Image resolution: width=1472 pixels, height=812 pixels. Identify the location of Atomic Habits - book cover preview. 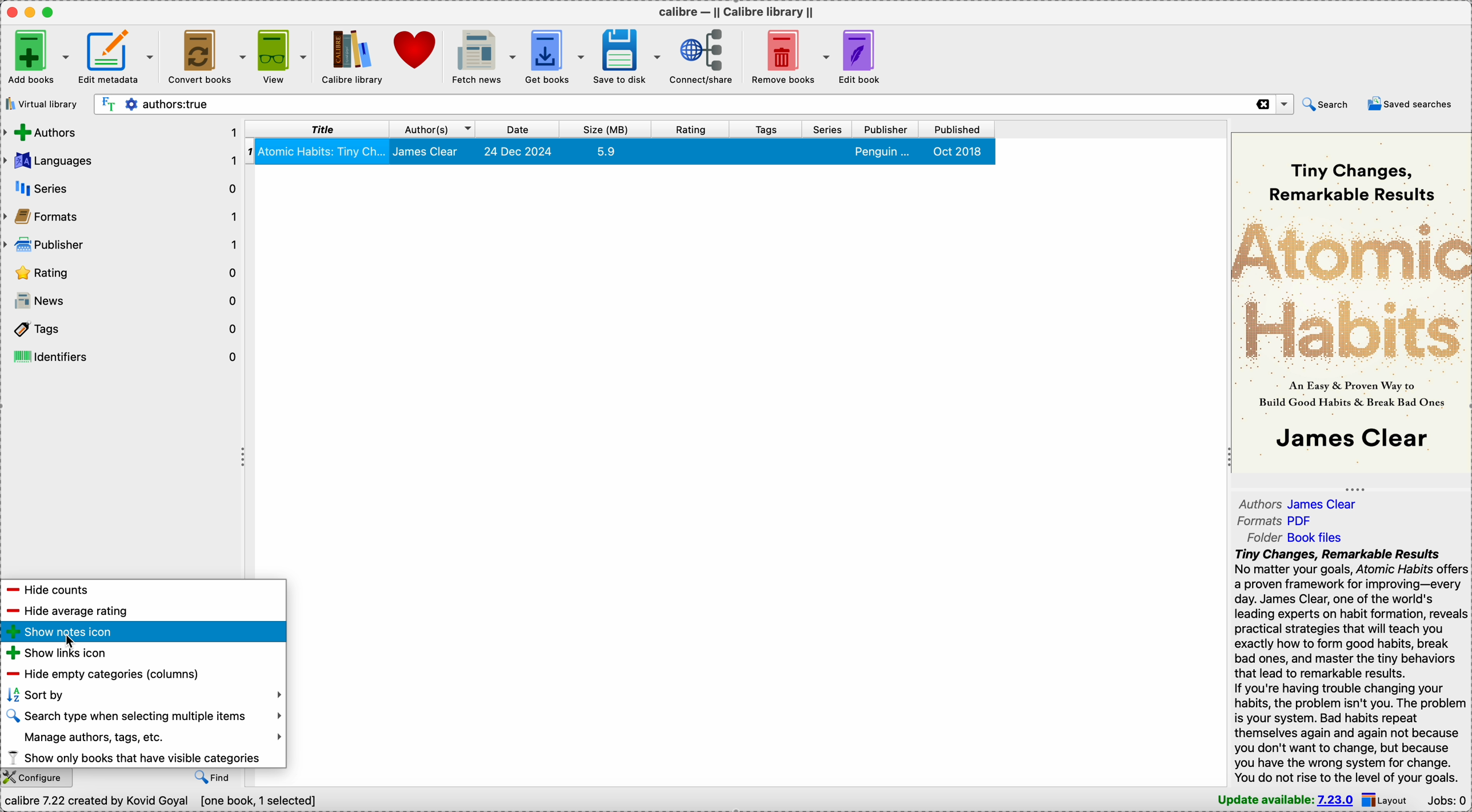
(1351, 304).